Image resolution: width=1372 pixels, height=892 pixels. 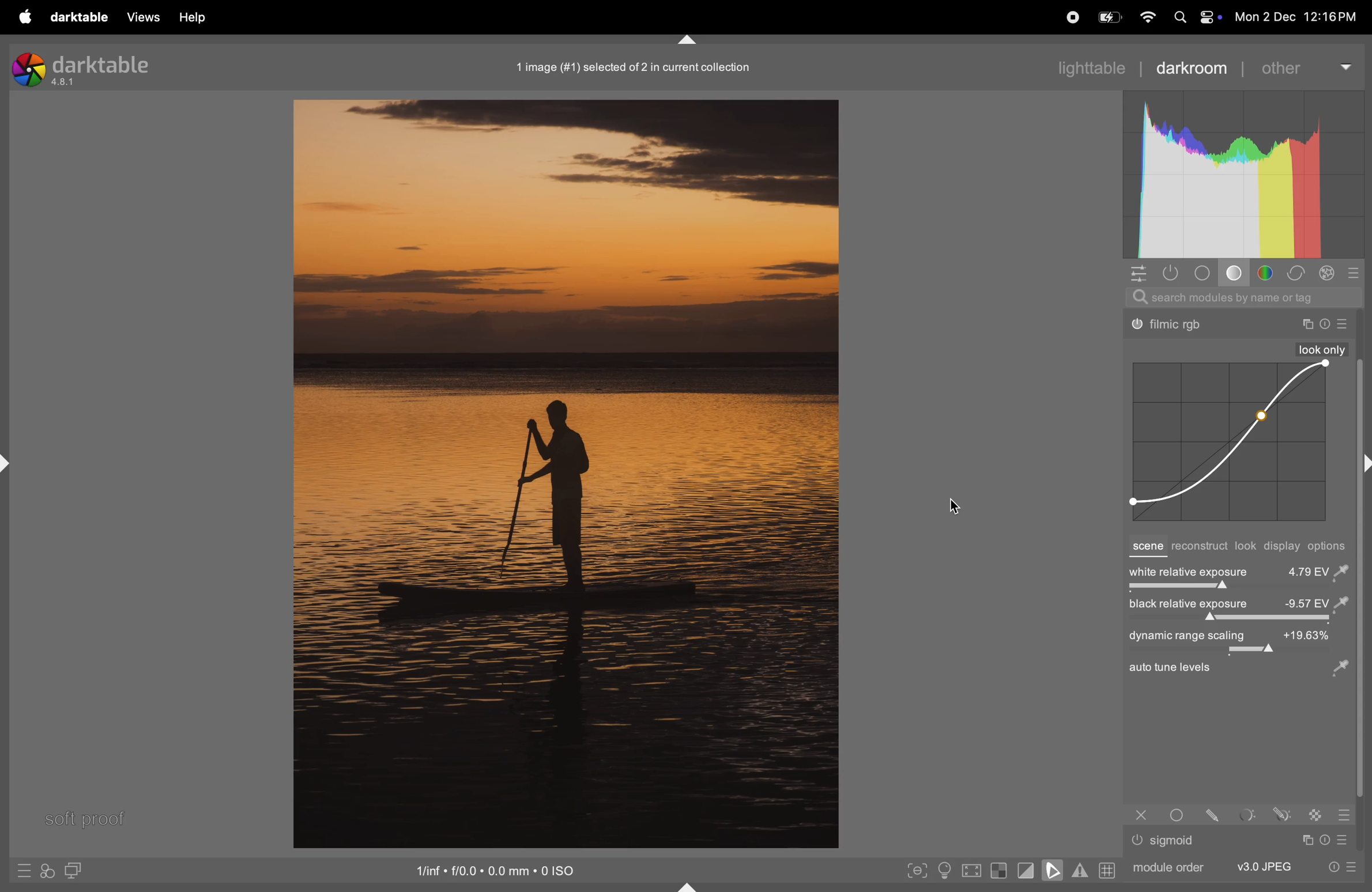 I want to click on date and time, so click(x=1301, y=18).